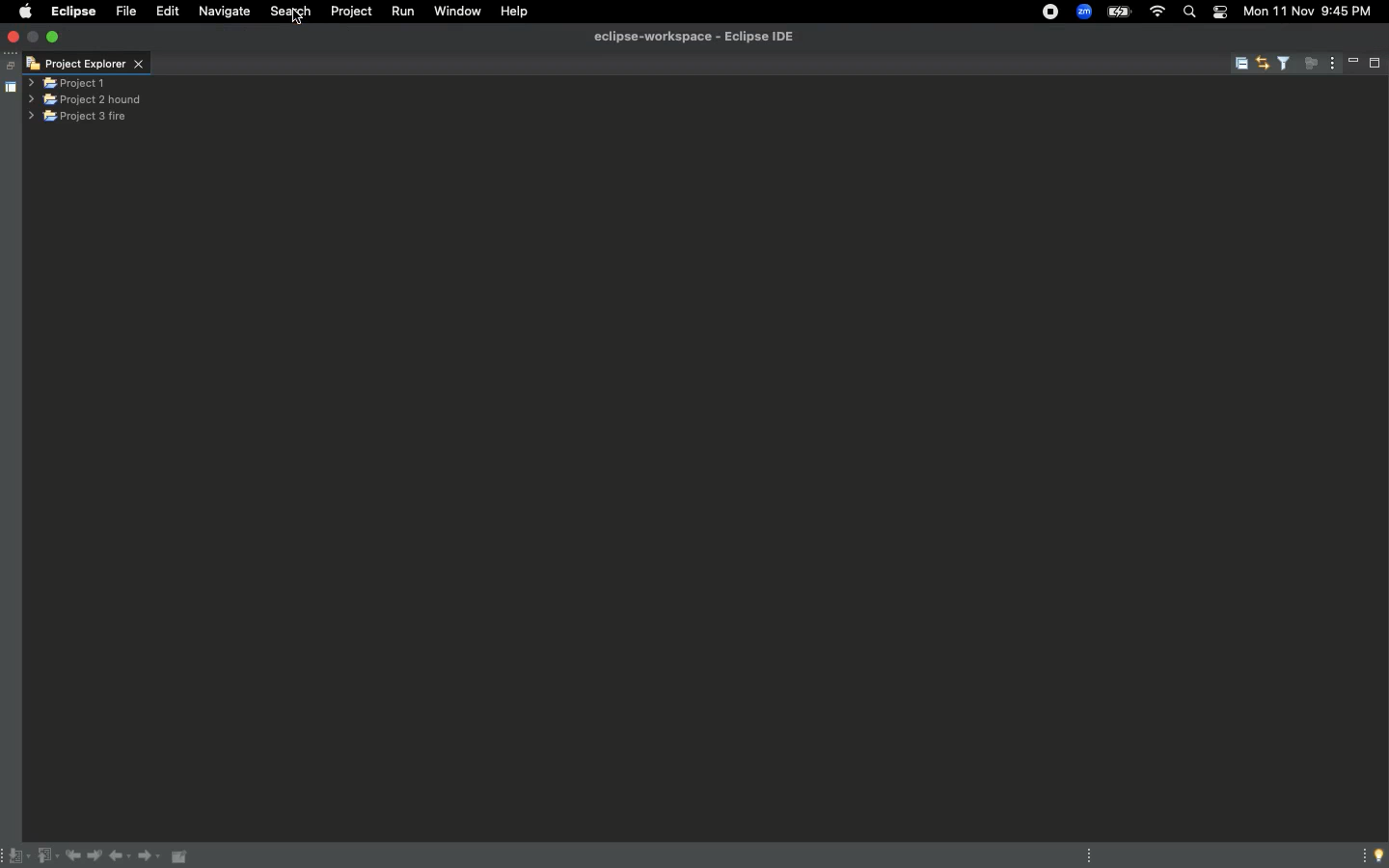  What do you see at coordinates (224, 11) in the screenshot?
I see `Navigate` at bounding box center [224, 11].